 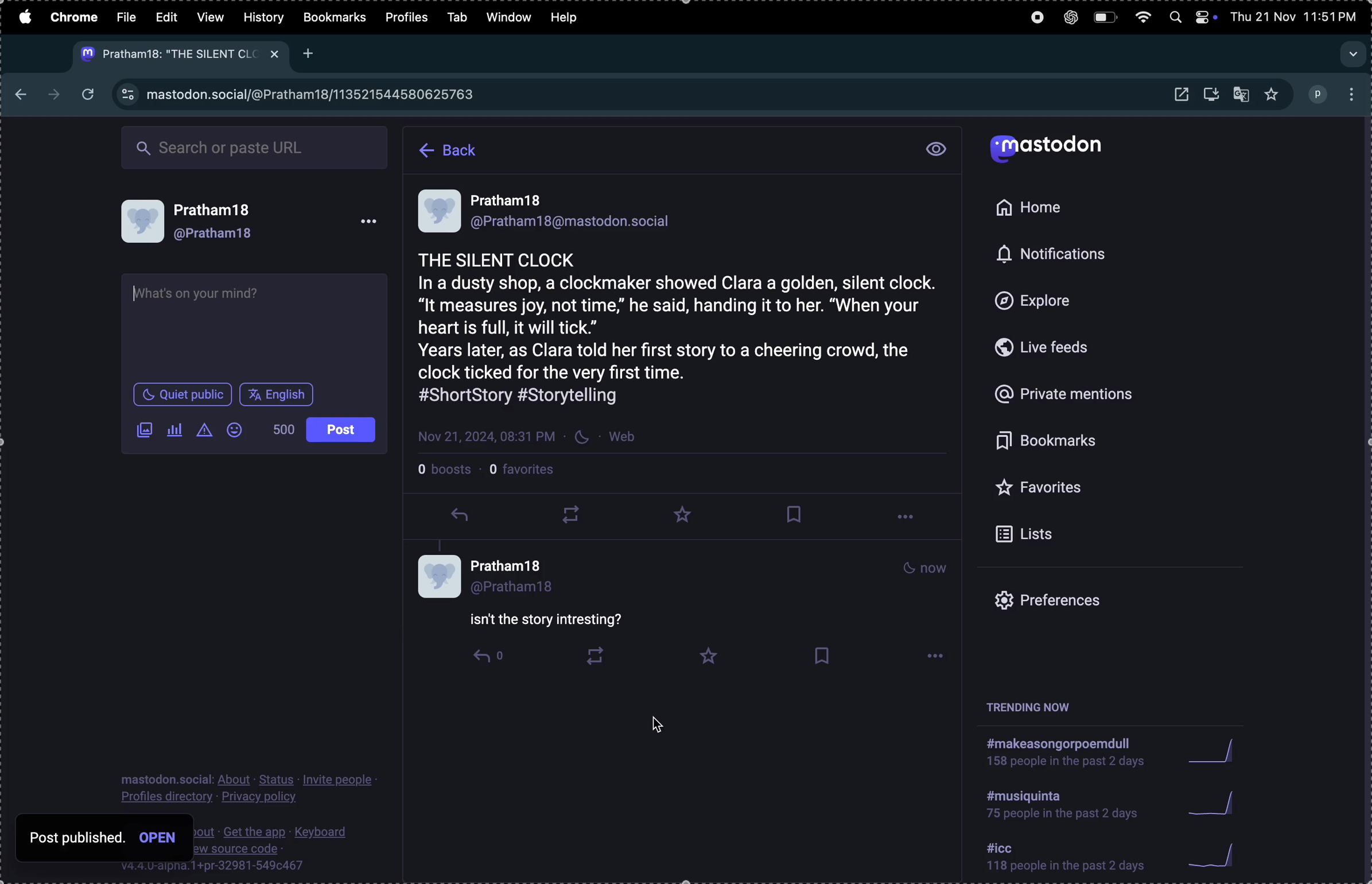 I want to click on favourites, so click(x=1084, y=489).